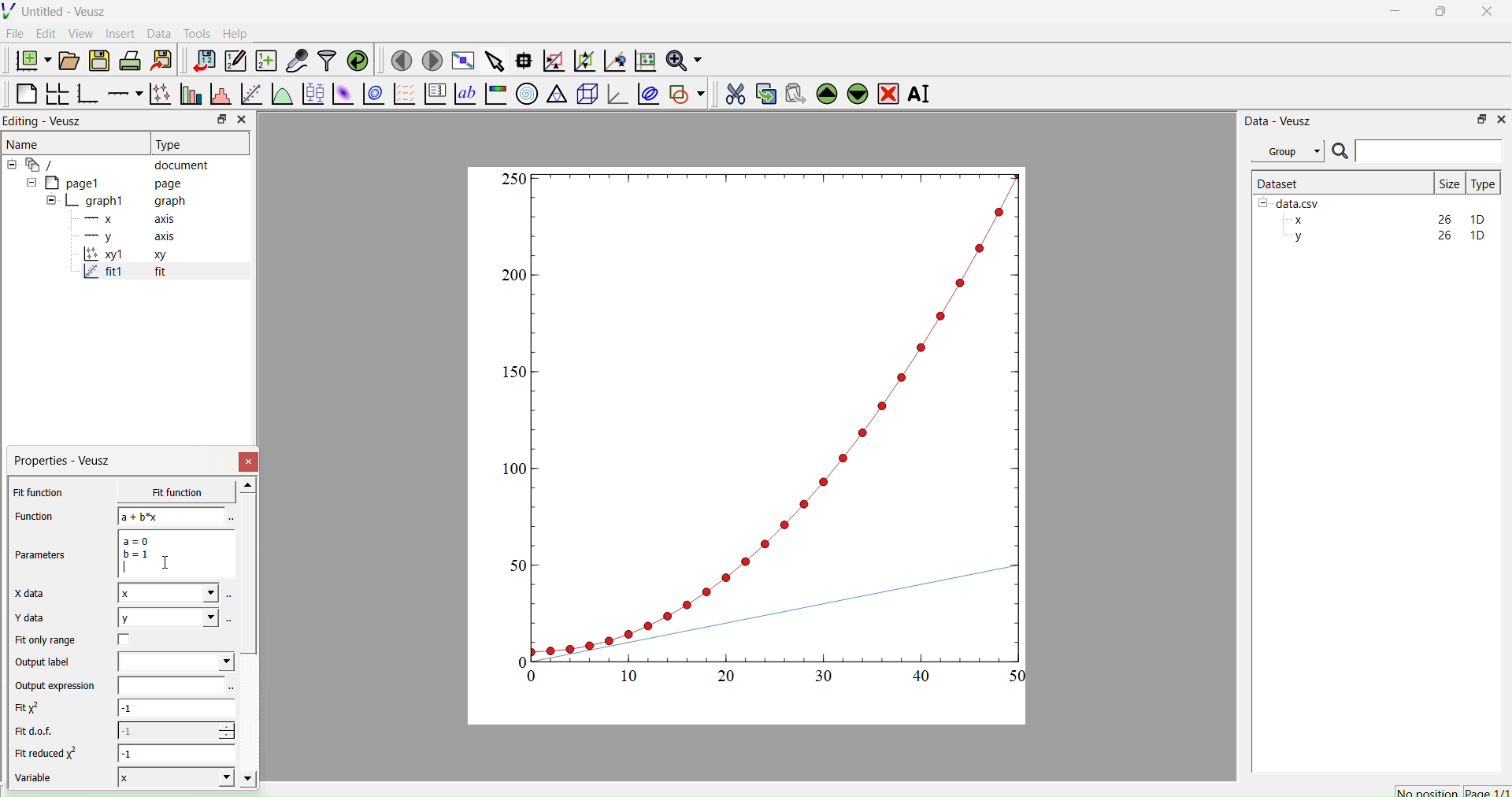 This screenshot has height=797, width=1512. Describe the element at coordinates (1451, 791) in the screenshot. I see `No position Page 1/1` at that location.